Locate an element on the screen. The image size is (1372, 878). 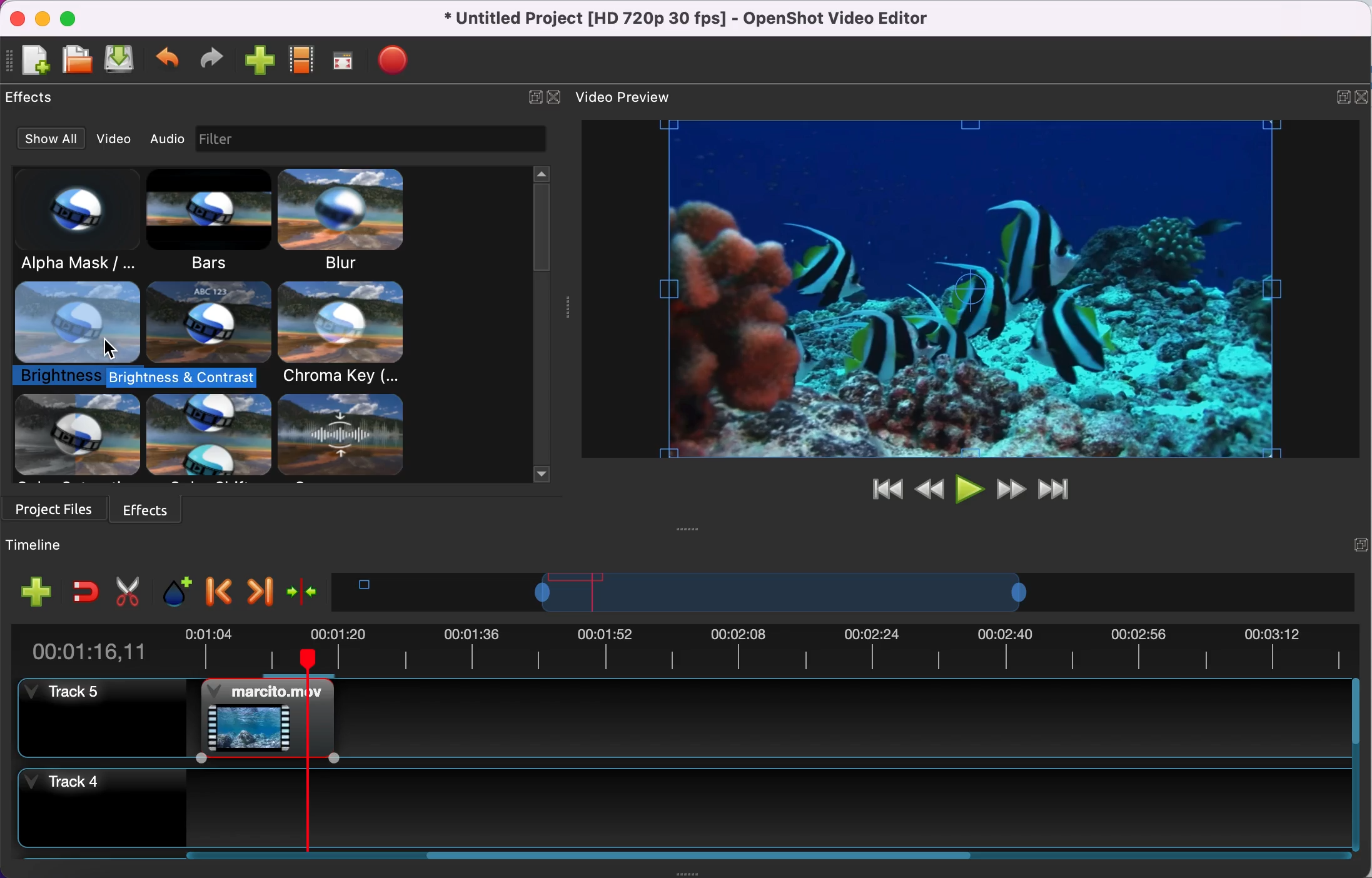
redo is located at coordinates (208, 60).